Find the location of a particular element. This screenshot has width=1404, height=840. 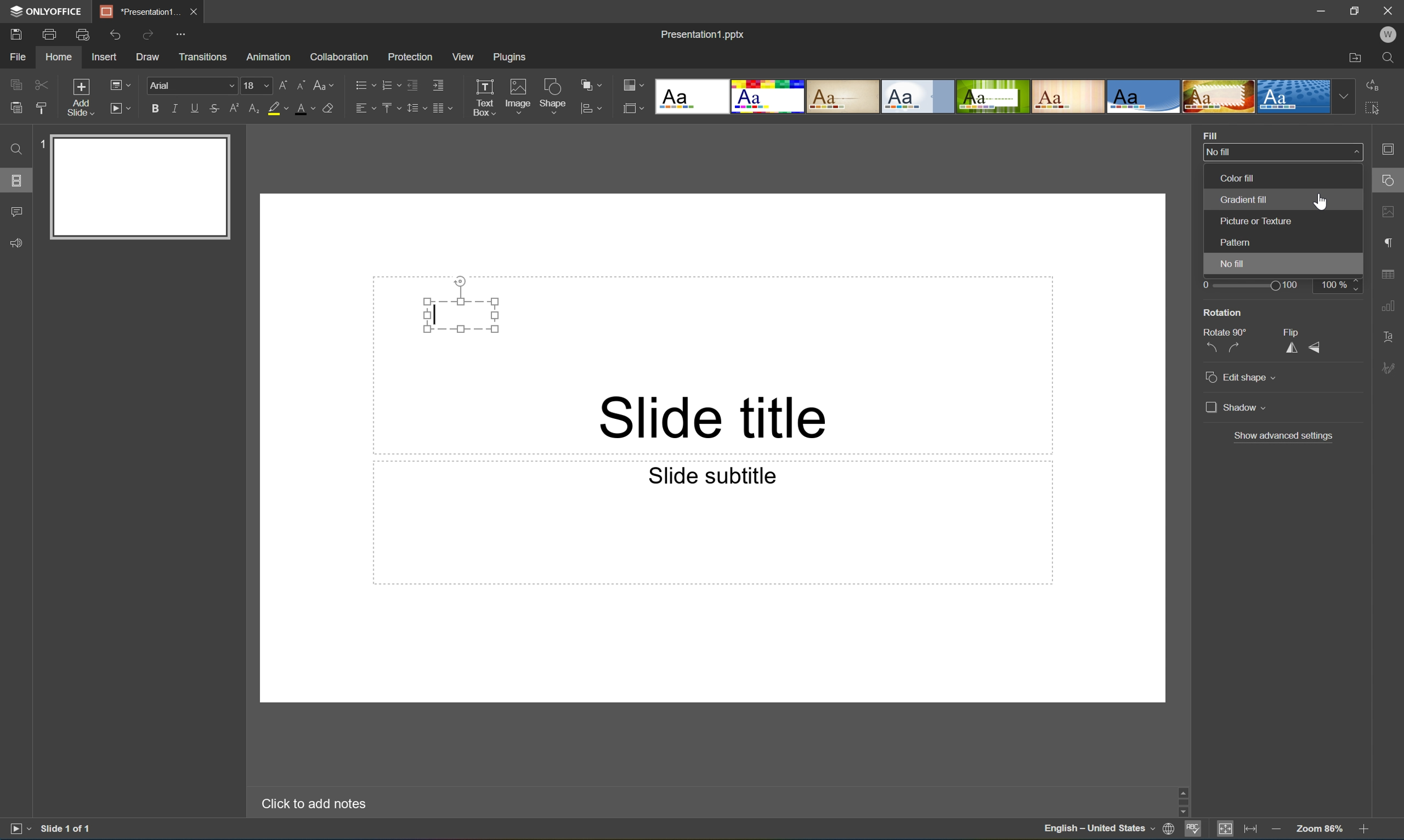

Slides is located at coordinates (19, 181).